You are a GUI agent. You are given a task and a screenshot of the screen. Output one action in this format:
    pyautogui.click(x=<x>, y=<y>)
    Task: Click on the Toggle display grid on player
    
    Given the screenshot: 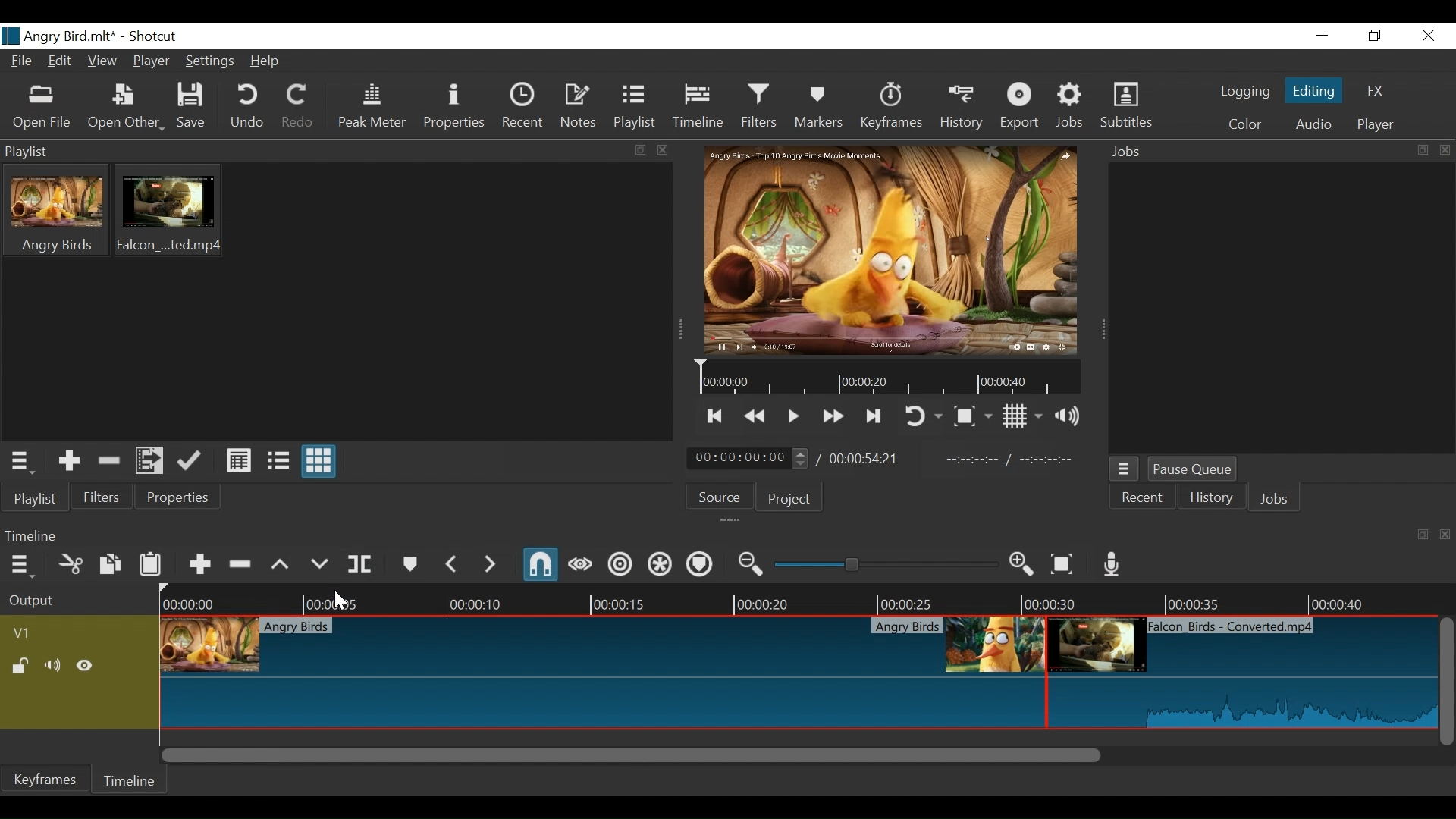 What is the action you would take?
    pyautogui.click(x=1025, y=418)
    